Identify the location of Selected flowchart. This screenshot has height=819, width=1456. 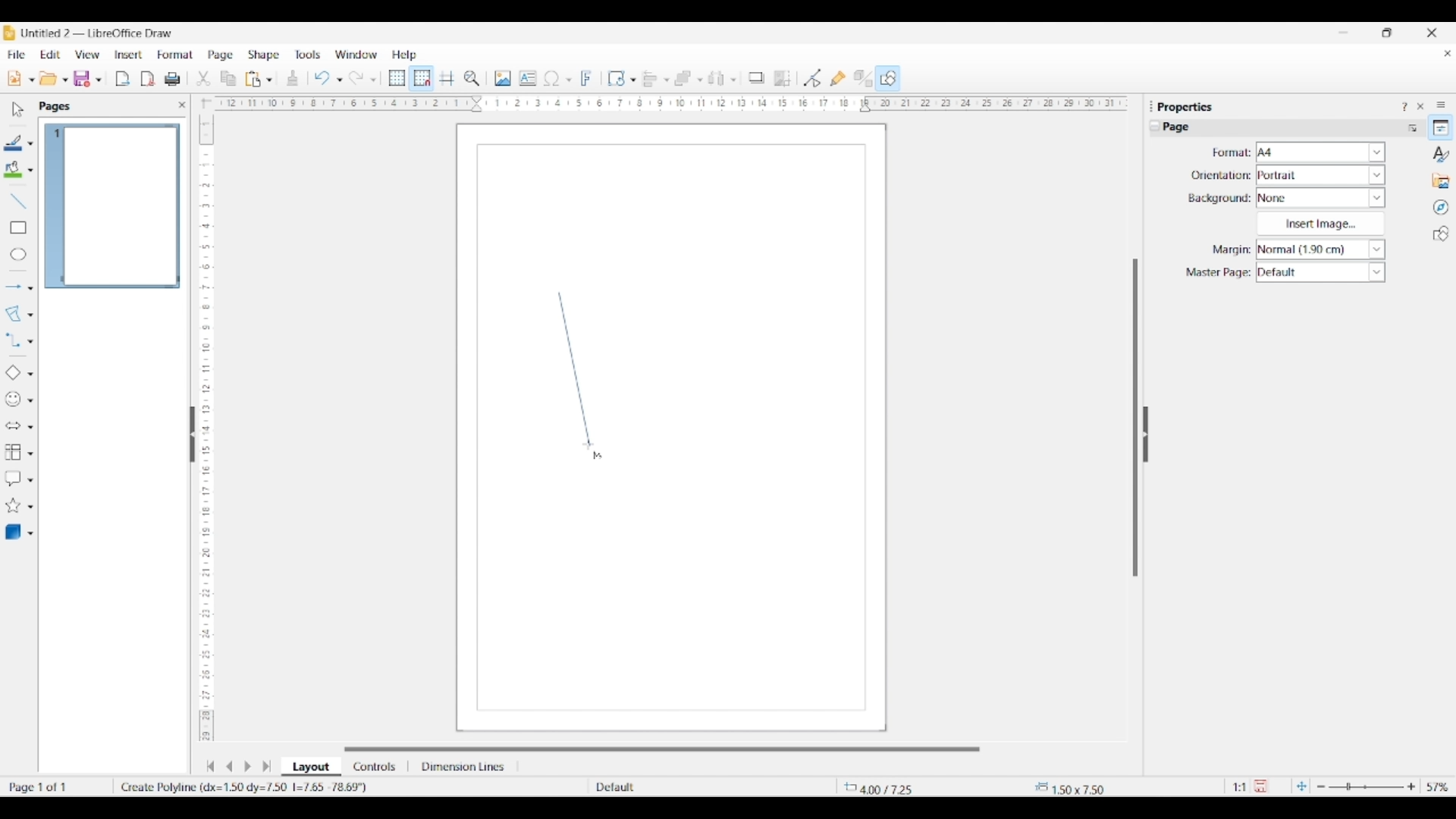
(13, 453).